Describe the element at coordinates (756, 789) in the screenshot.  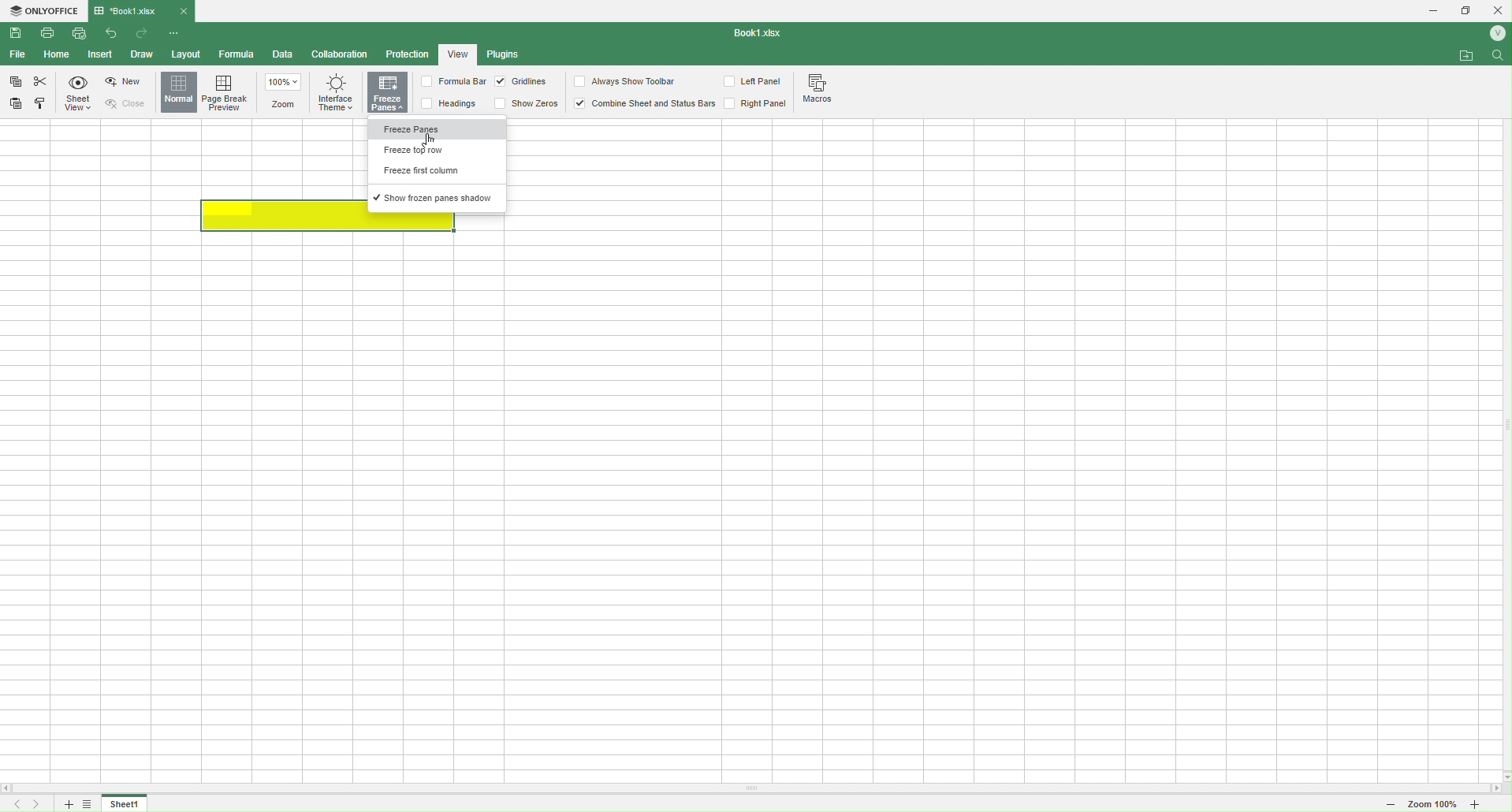
I see `Scroll bar` at that location.